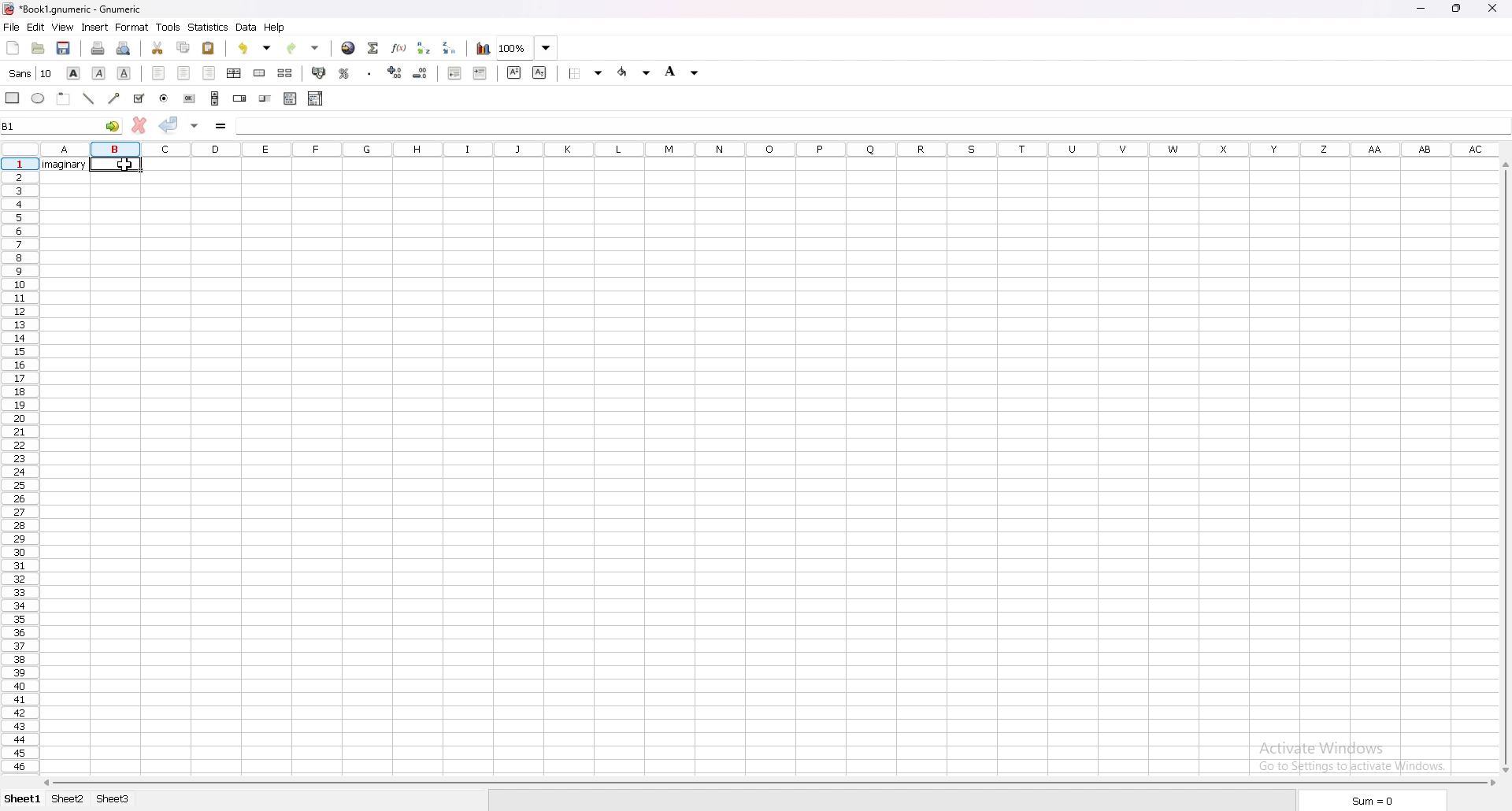  I want to click on edit, so click(36, 27).